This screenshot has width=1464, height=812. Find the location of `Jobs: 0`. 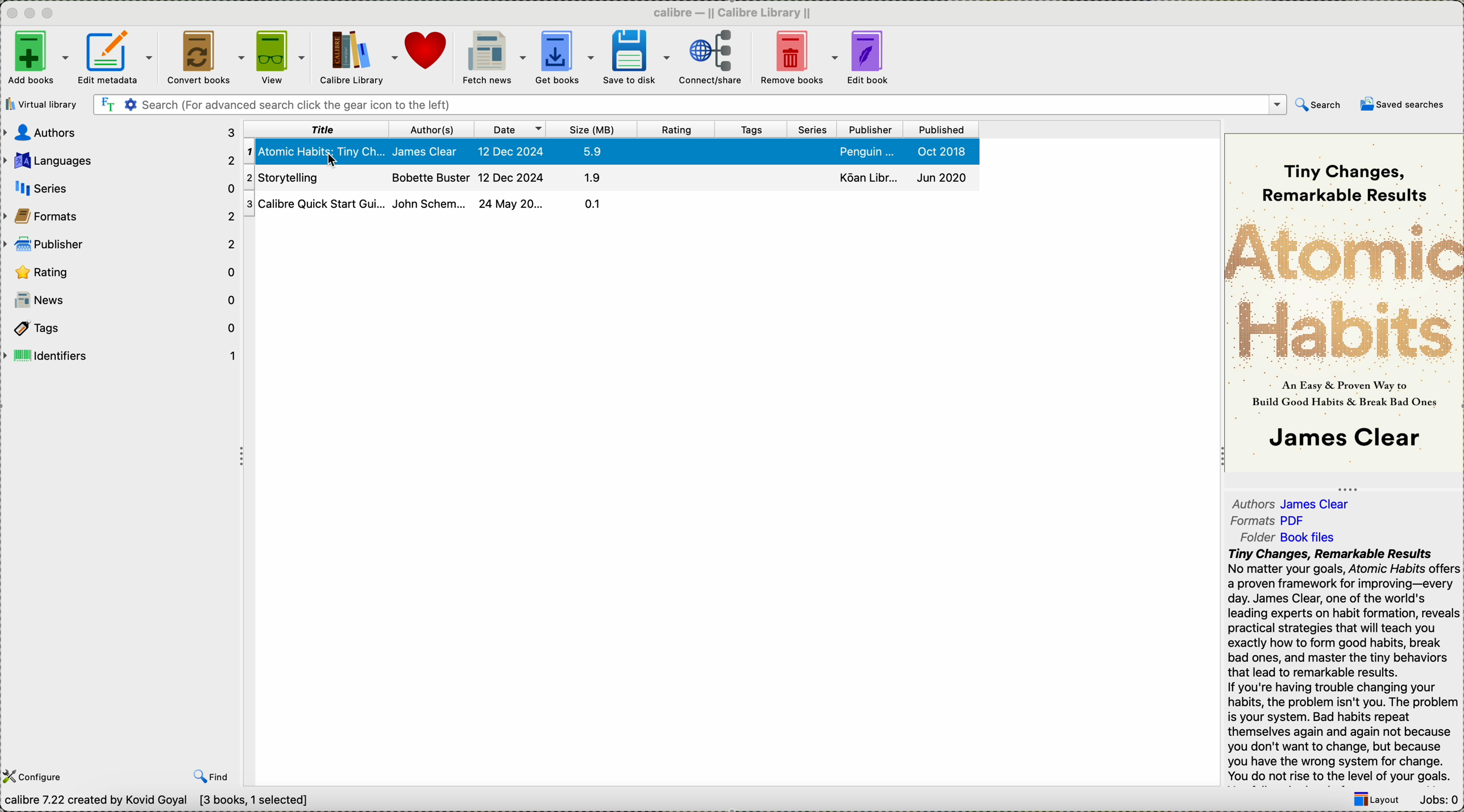

Jobs: 0 is located at coordinates (1437, 801).